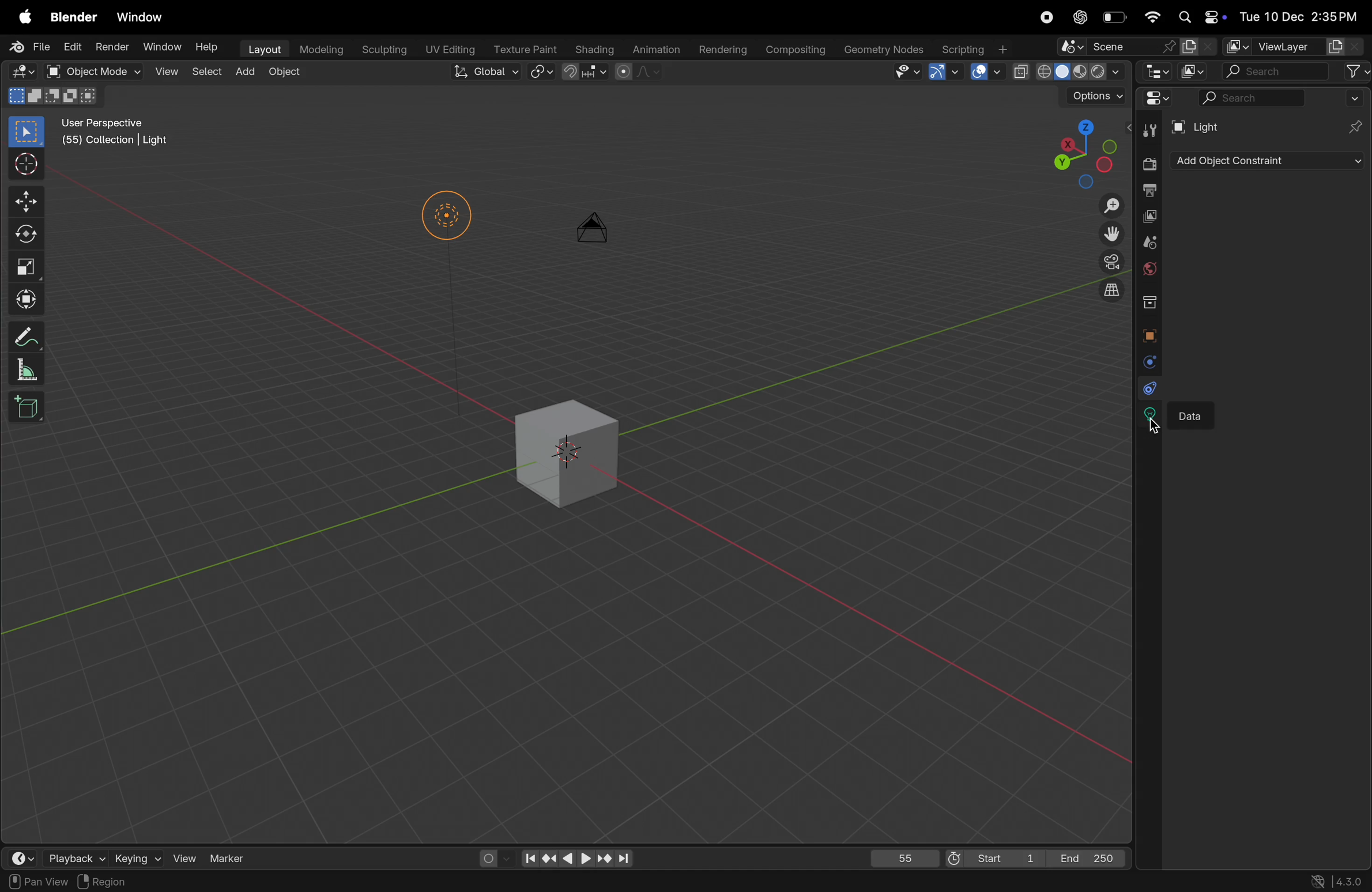 This screenshot has height=892, width=1372. I want to click on select, so click(208, 74).